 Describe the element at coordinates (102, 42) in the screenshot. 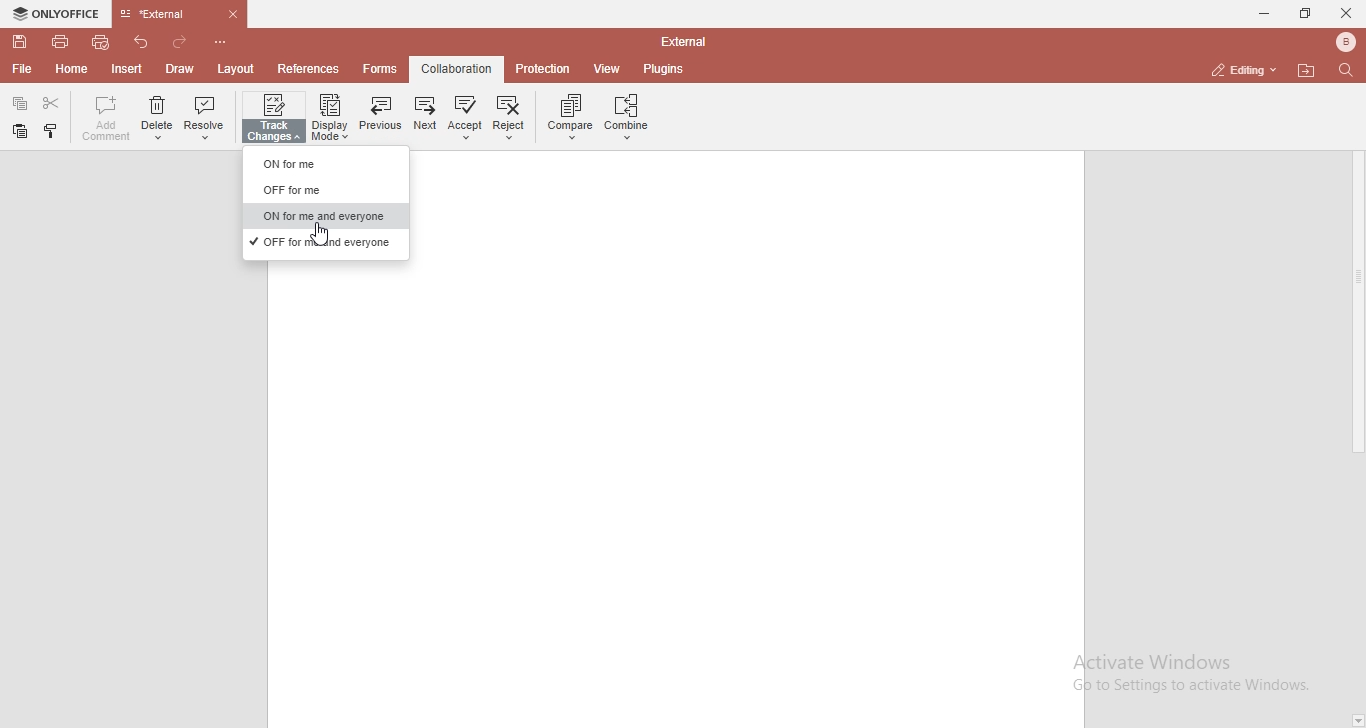

I see `quick print` at that location.